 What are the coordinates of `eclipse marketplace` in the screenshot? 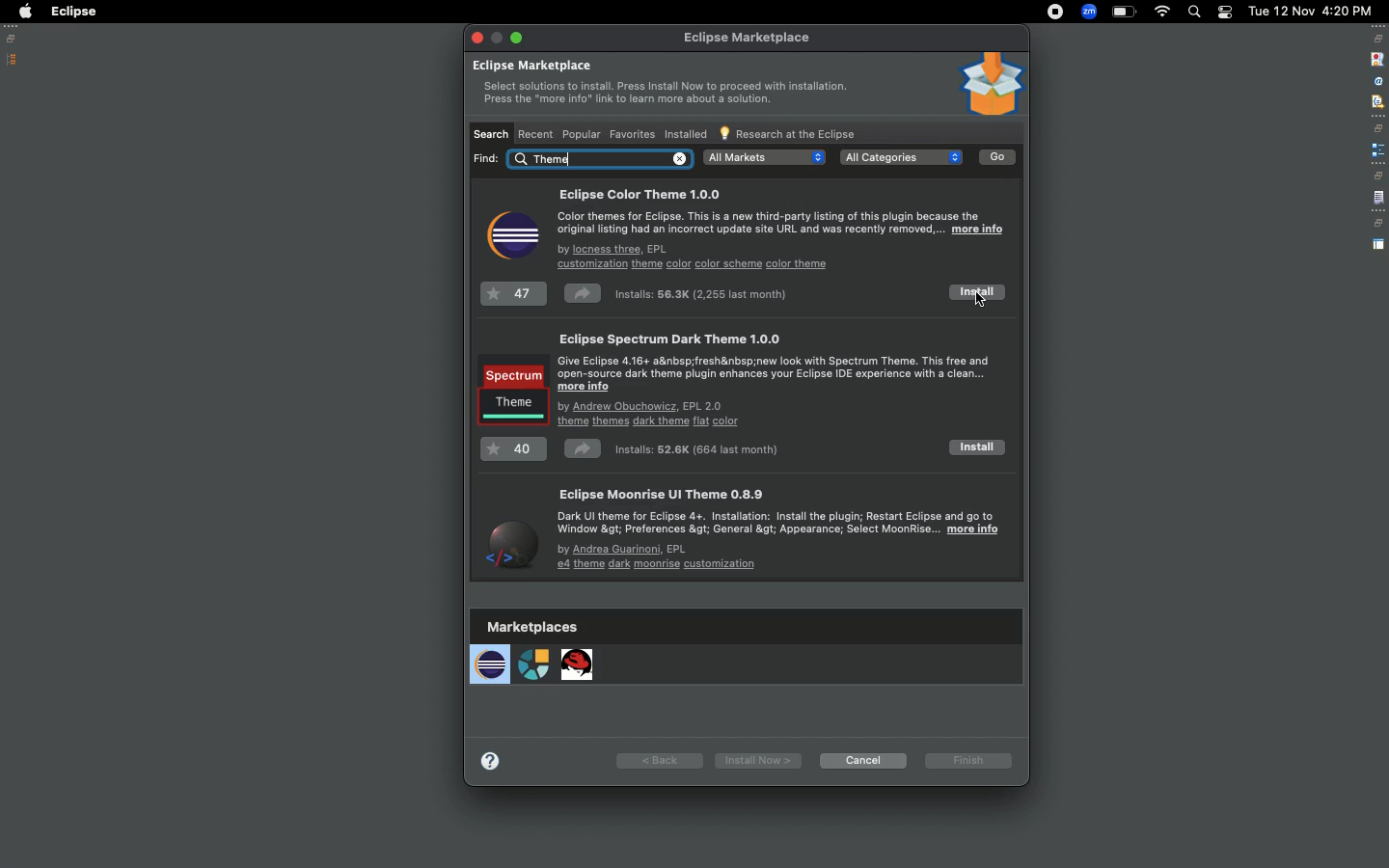 It's located at (749, 39).